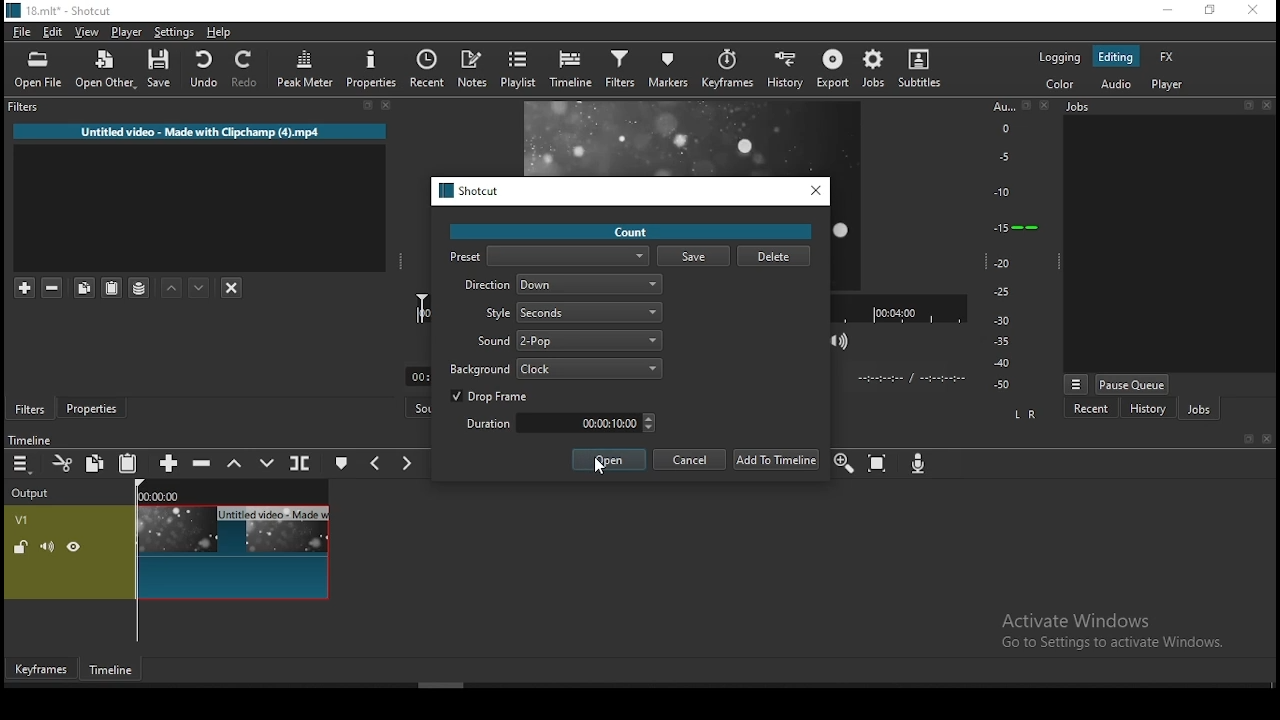 Image resolution: width=1280 pixels, height=720 pixels. Describe the element at coordinates (550, 369) in the screenshot. I see `background` at that location.